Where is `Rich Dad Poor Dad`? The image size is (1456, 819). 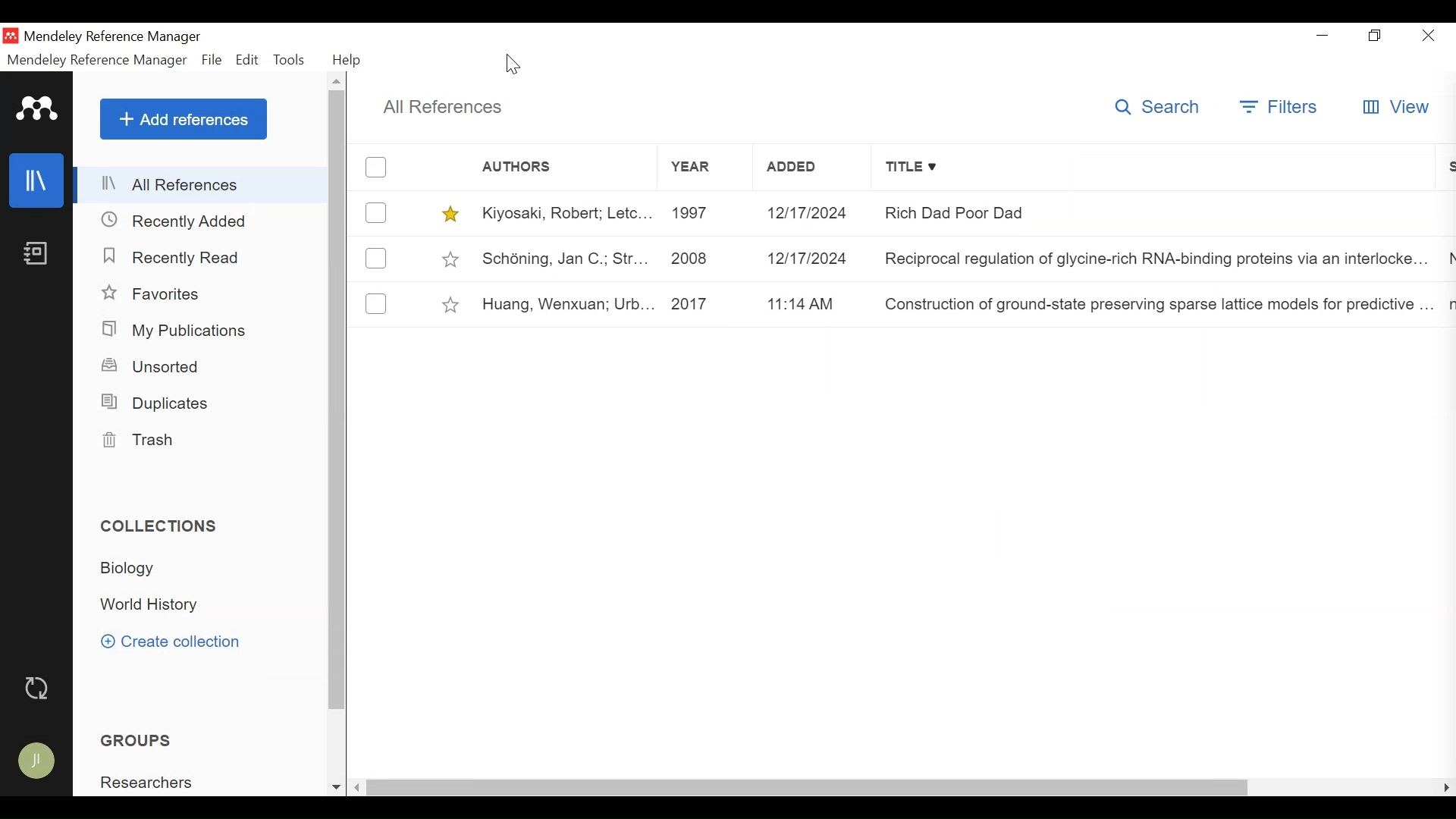
Rich Dad Poor Dad is located at coordinates (1042, 215).